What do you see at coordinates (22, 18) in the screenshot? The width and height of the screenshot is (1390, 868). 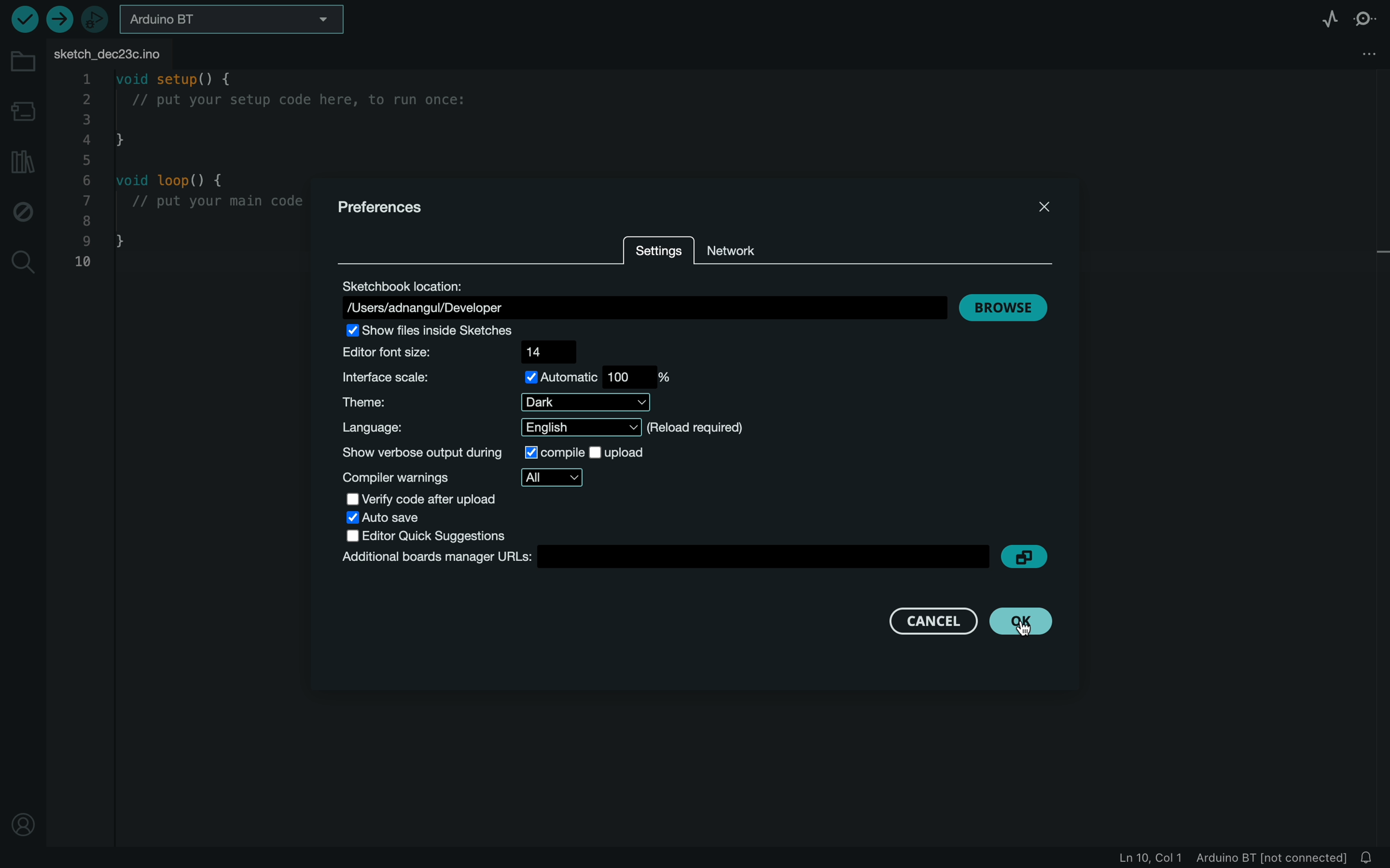 I see `verify` at bounding box center [22, 18].